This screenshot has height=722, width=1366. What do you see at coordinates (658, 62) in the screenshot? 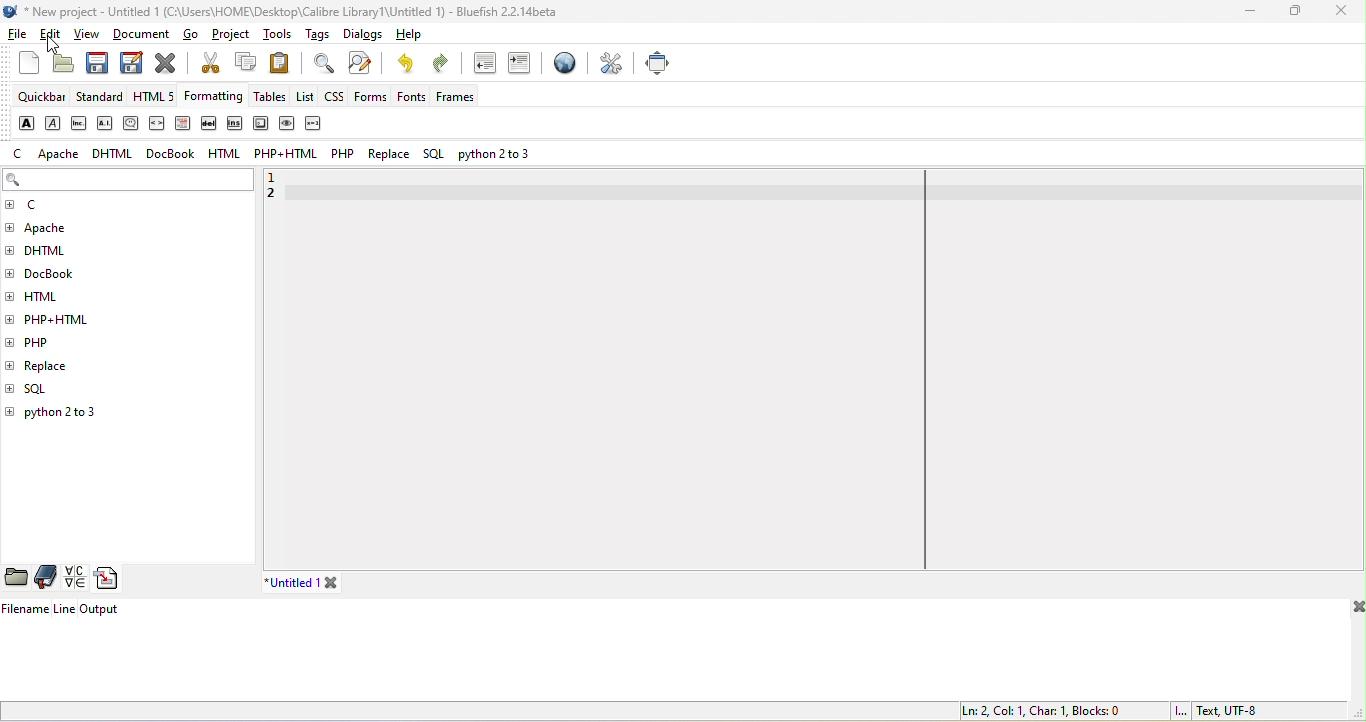
I see `full screen` at bounding box center [658, 62].